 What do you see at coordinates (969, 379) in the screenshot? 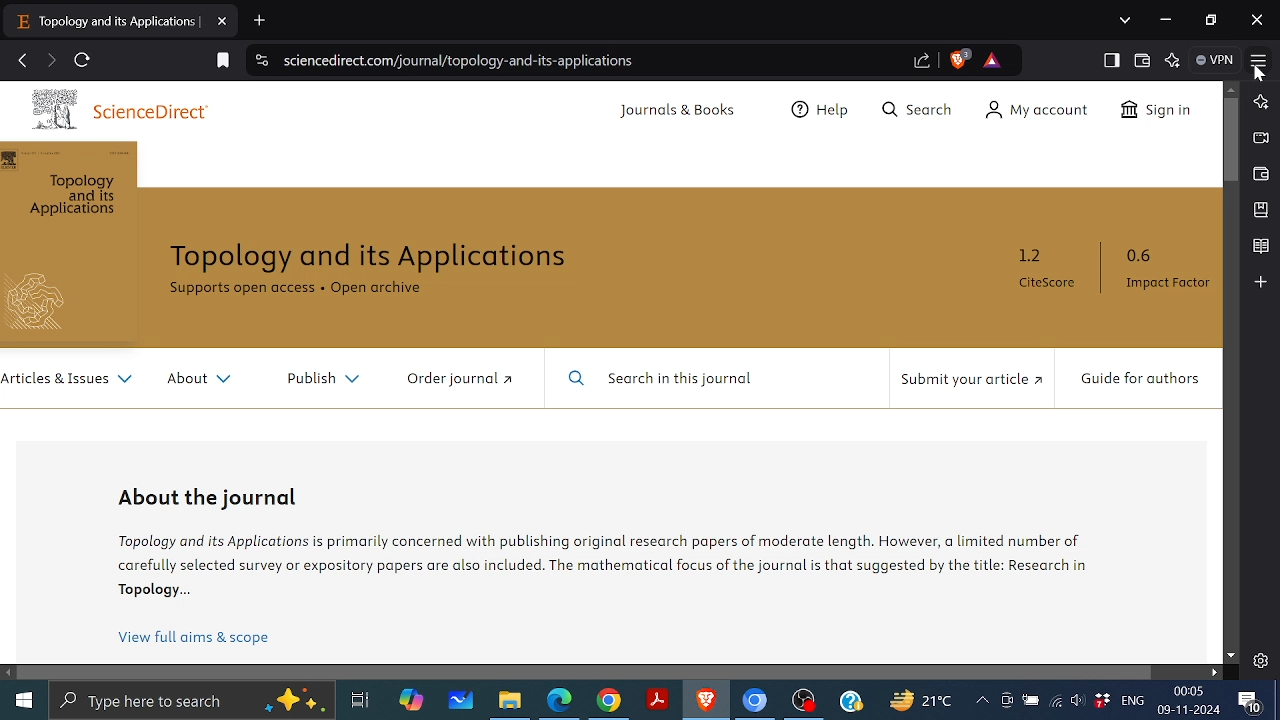
I see `Submit your article` at bounding box center [969, 379].